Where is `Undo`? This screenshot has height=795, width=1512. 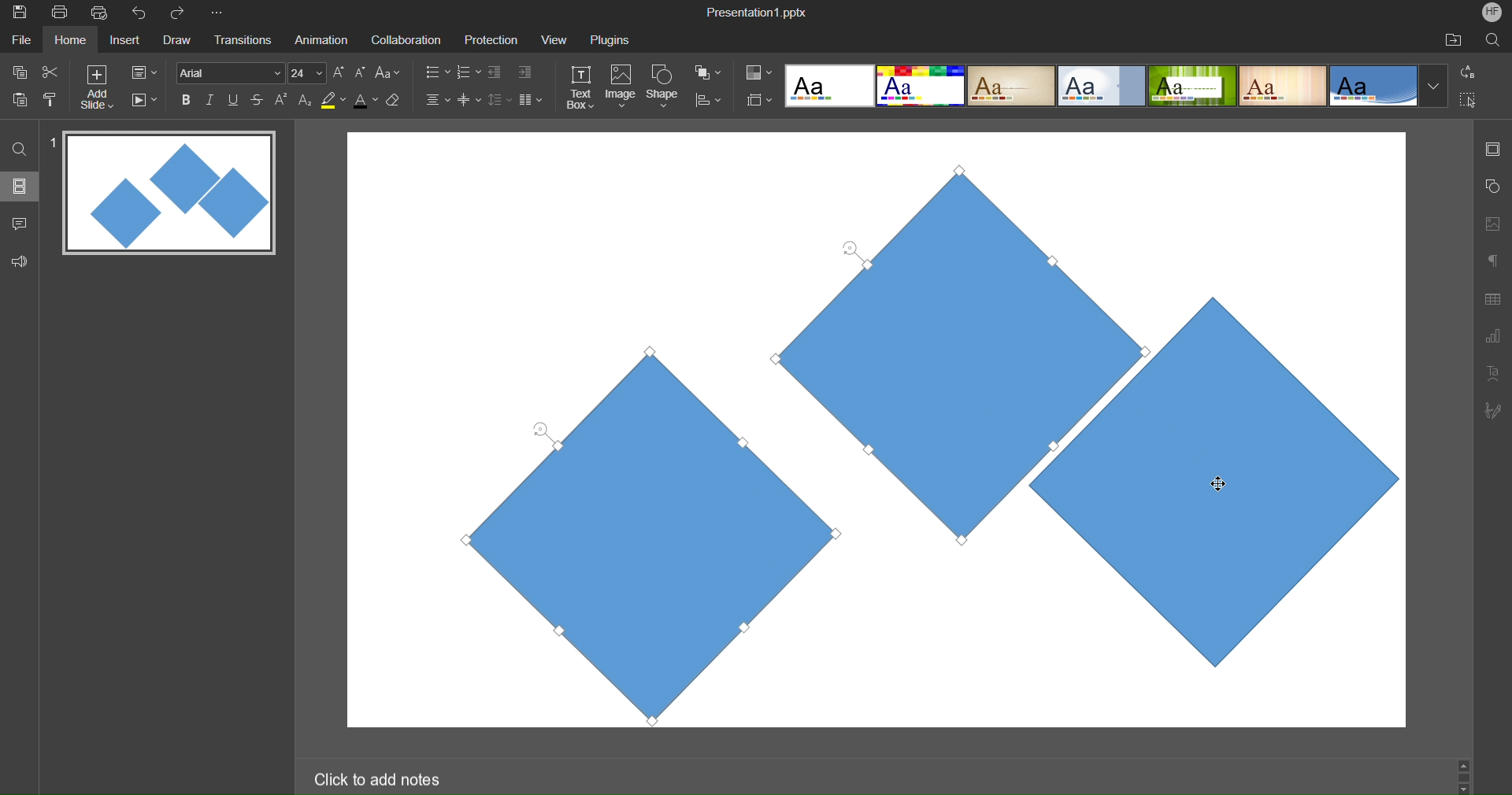
Undo is located at coordinates (143, 13).